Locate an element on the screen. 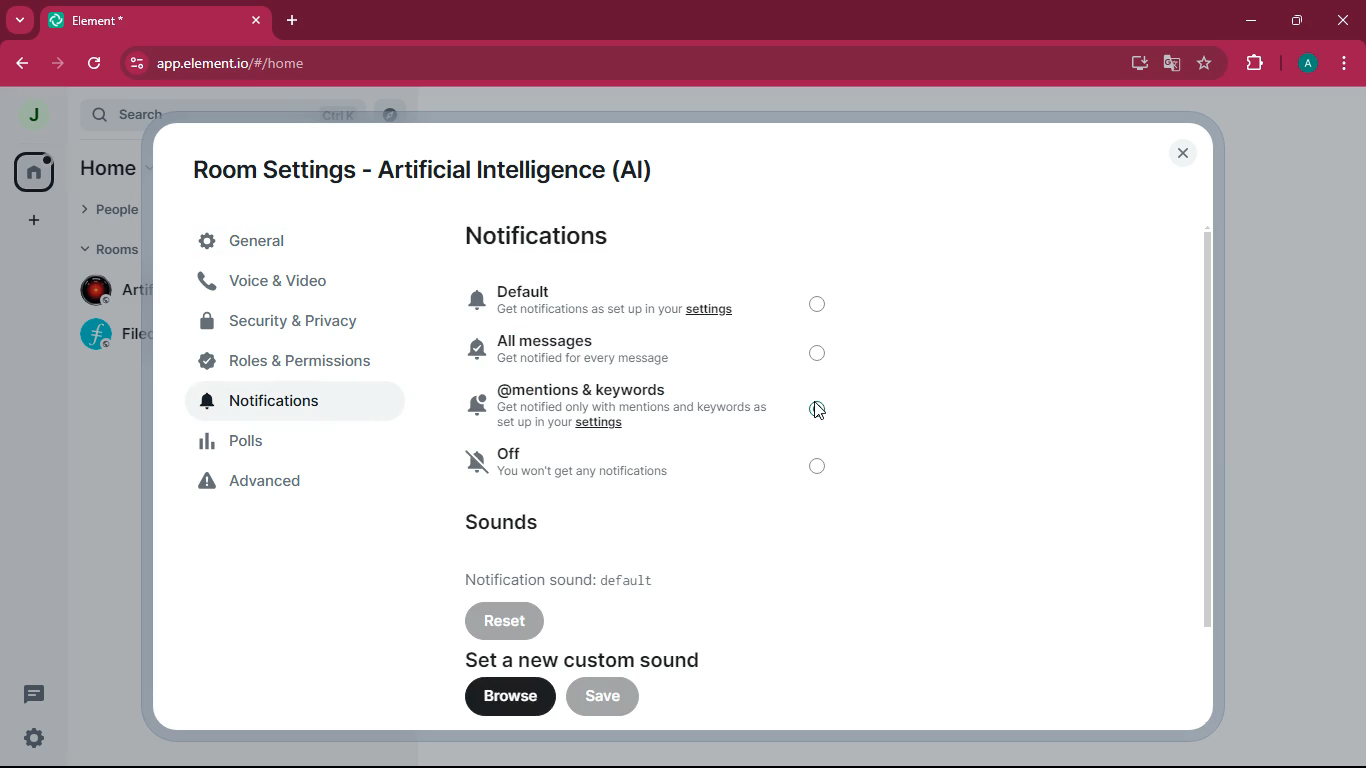 Image resolution: width=1366 pixels, height=768 pixels. rooms is located at coordinates (108, 248).